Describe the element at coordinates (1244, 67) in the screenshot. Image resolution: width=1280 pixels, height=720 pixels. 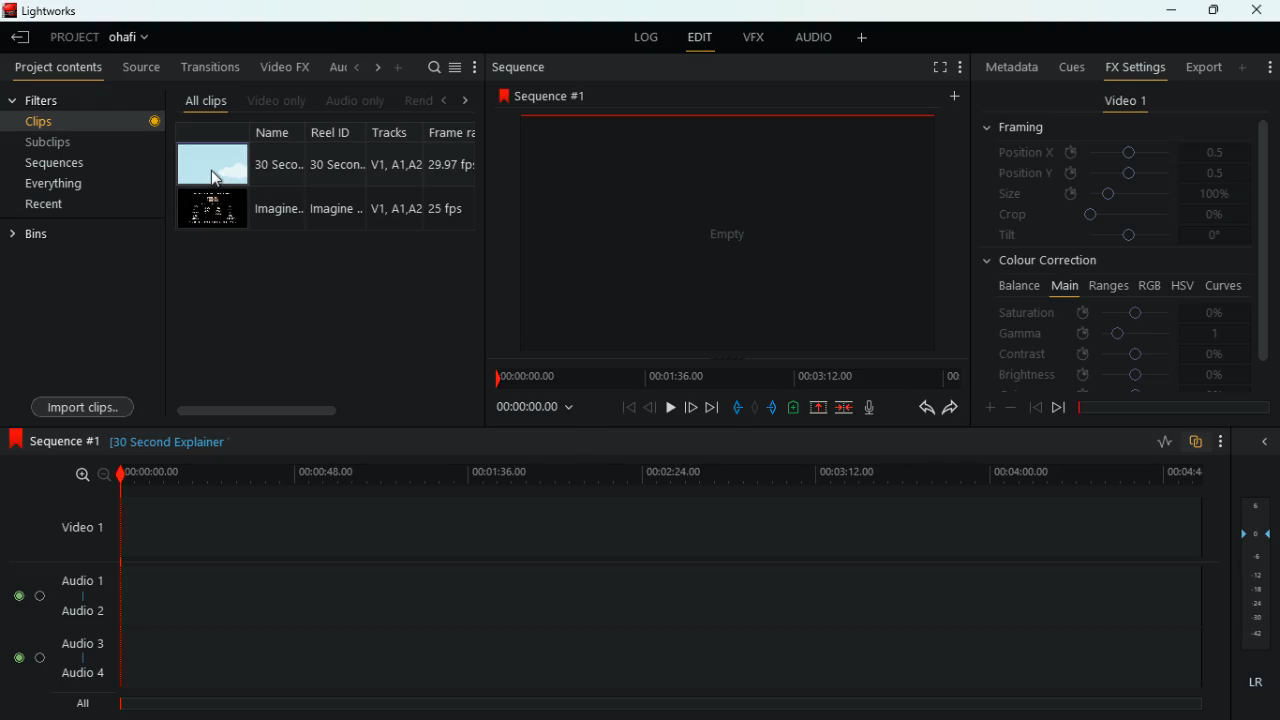
I see `more` at that location.